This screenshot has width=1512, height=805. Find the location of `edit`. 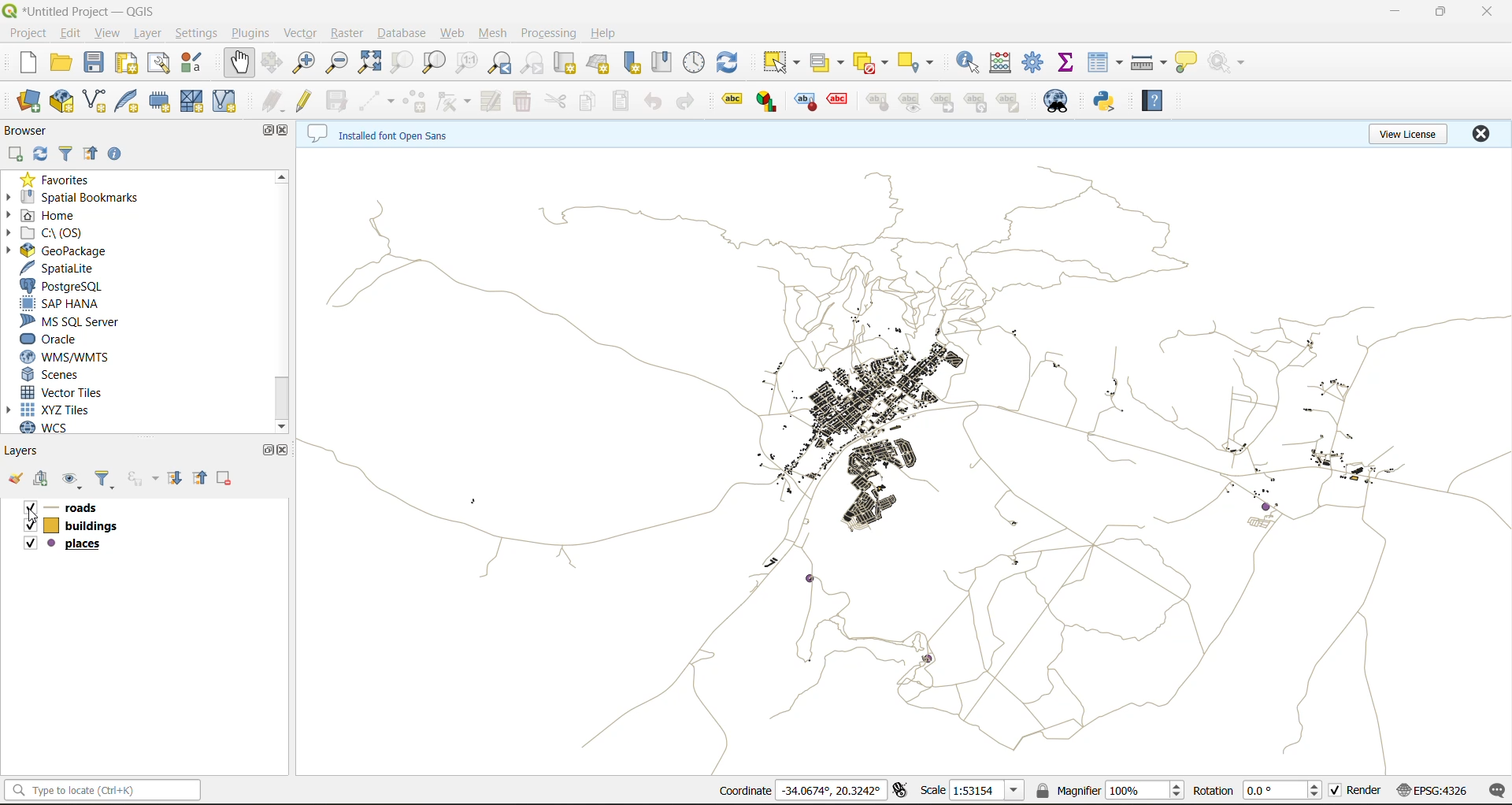

edit is located at coordinates (74, 35).